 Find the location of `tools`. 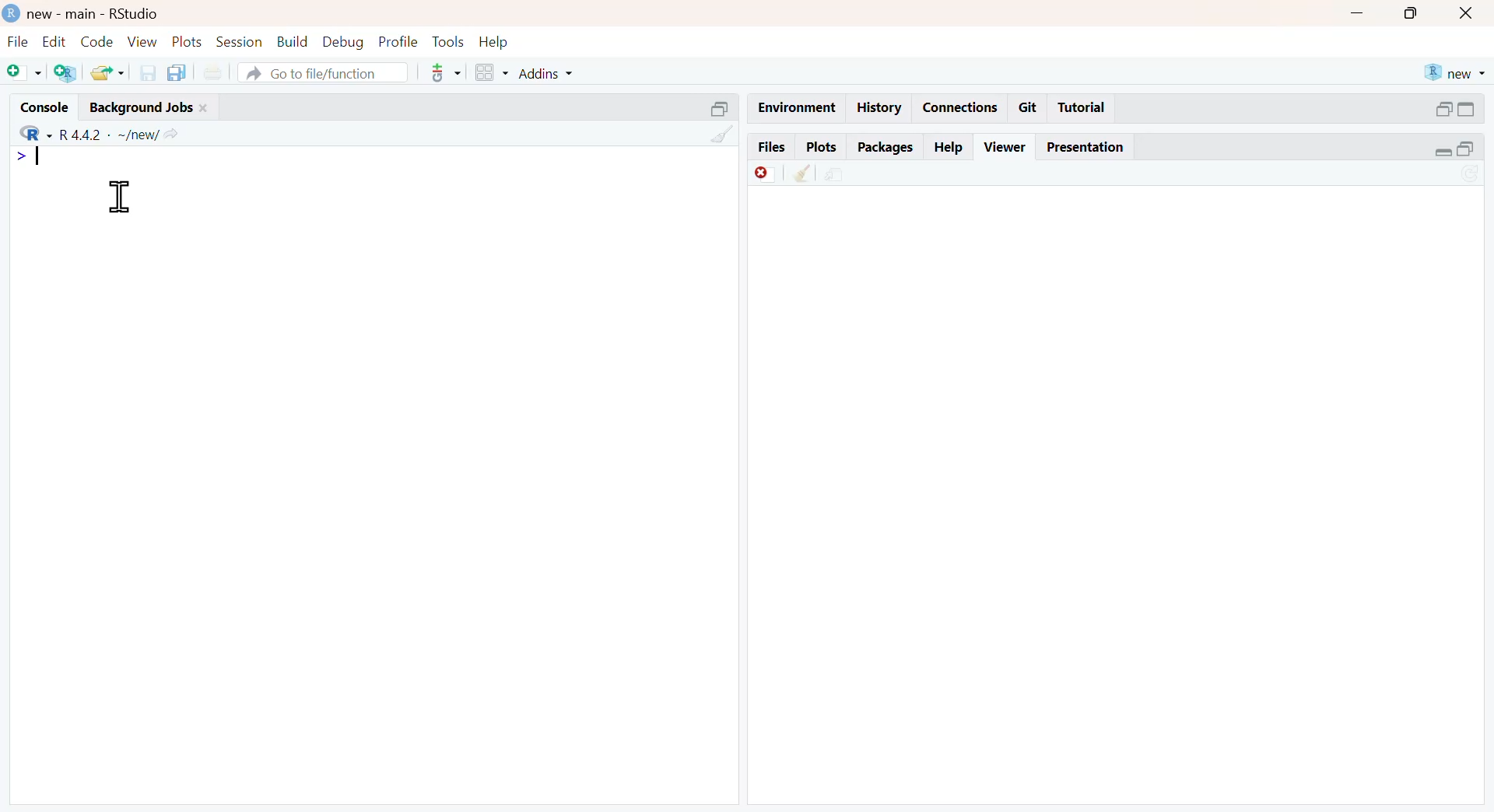

tools is located at coordinates (447, 72).